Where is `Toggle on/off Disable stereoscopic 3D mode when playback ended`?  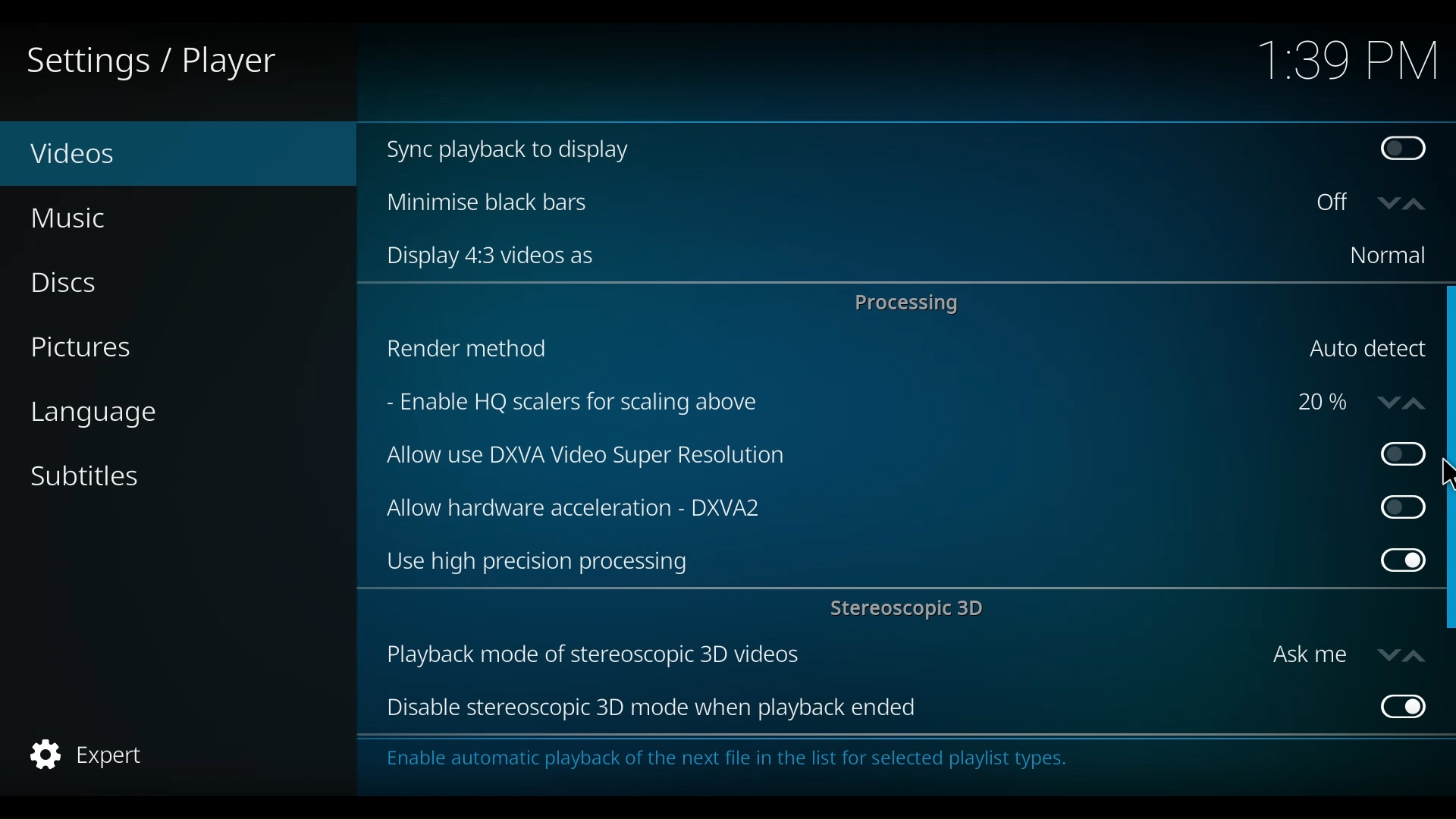
Toggle on/off Disable stereoscopic 3D mode when playback ended is located at coordinates (1400, 705).